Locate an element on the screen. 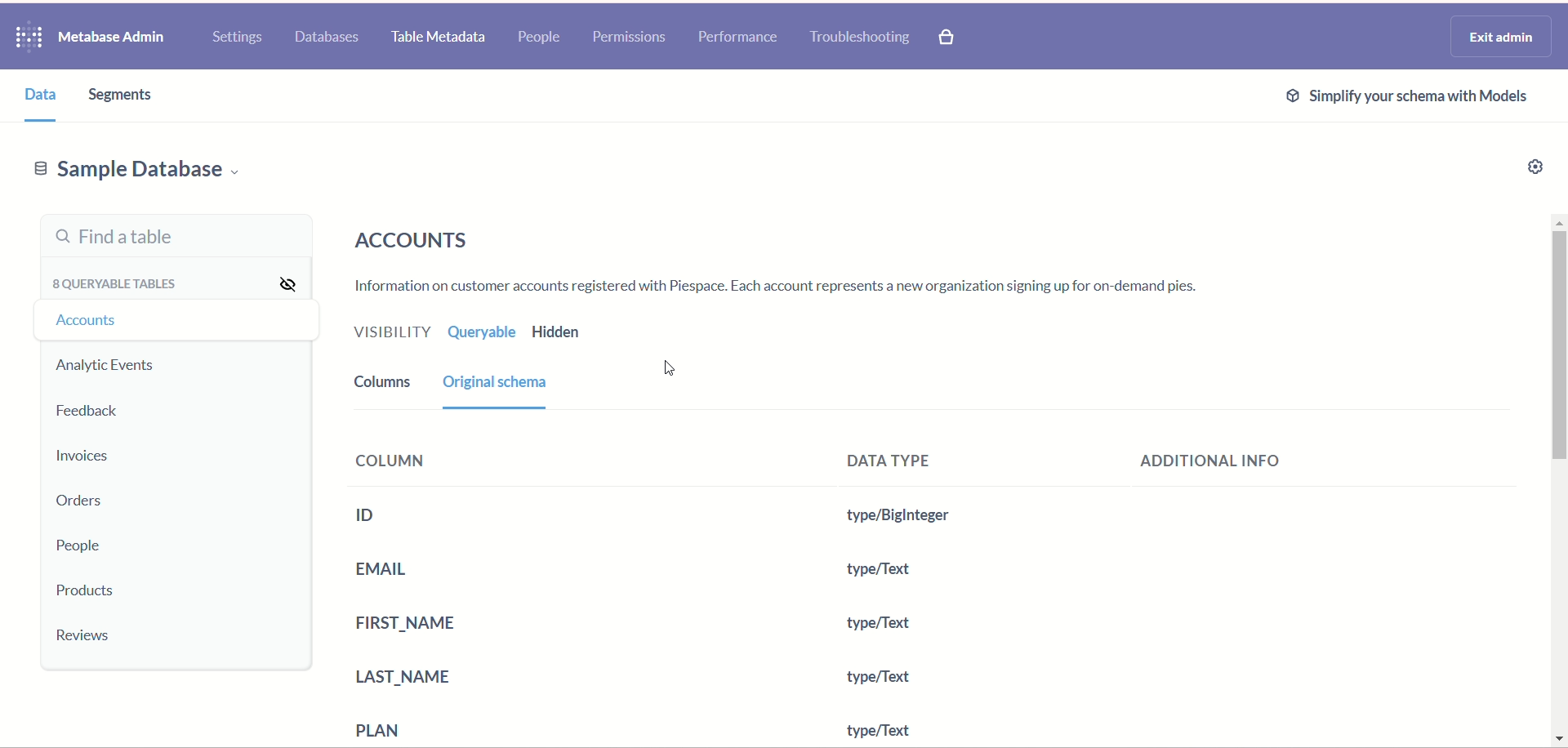  ast name is located at coordinates (409, 677).